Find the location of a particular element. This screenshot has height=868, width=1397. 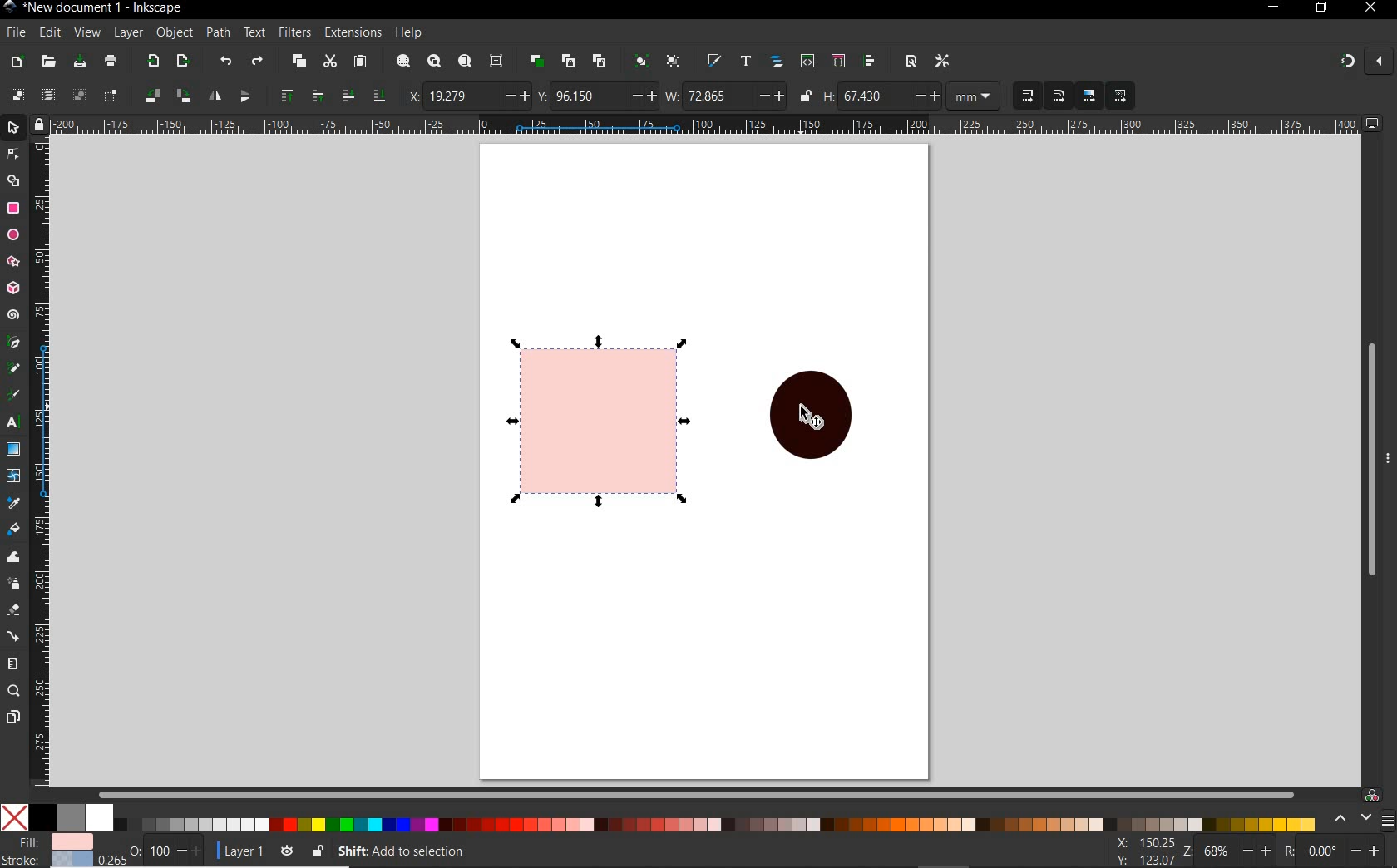

help is located at coordinates (409, 33).